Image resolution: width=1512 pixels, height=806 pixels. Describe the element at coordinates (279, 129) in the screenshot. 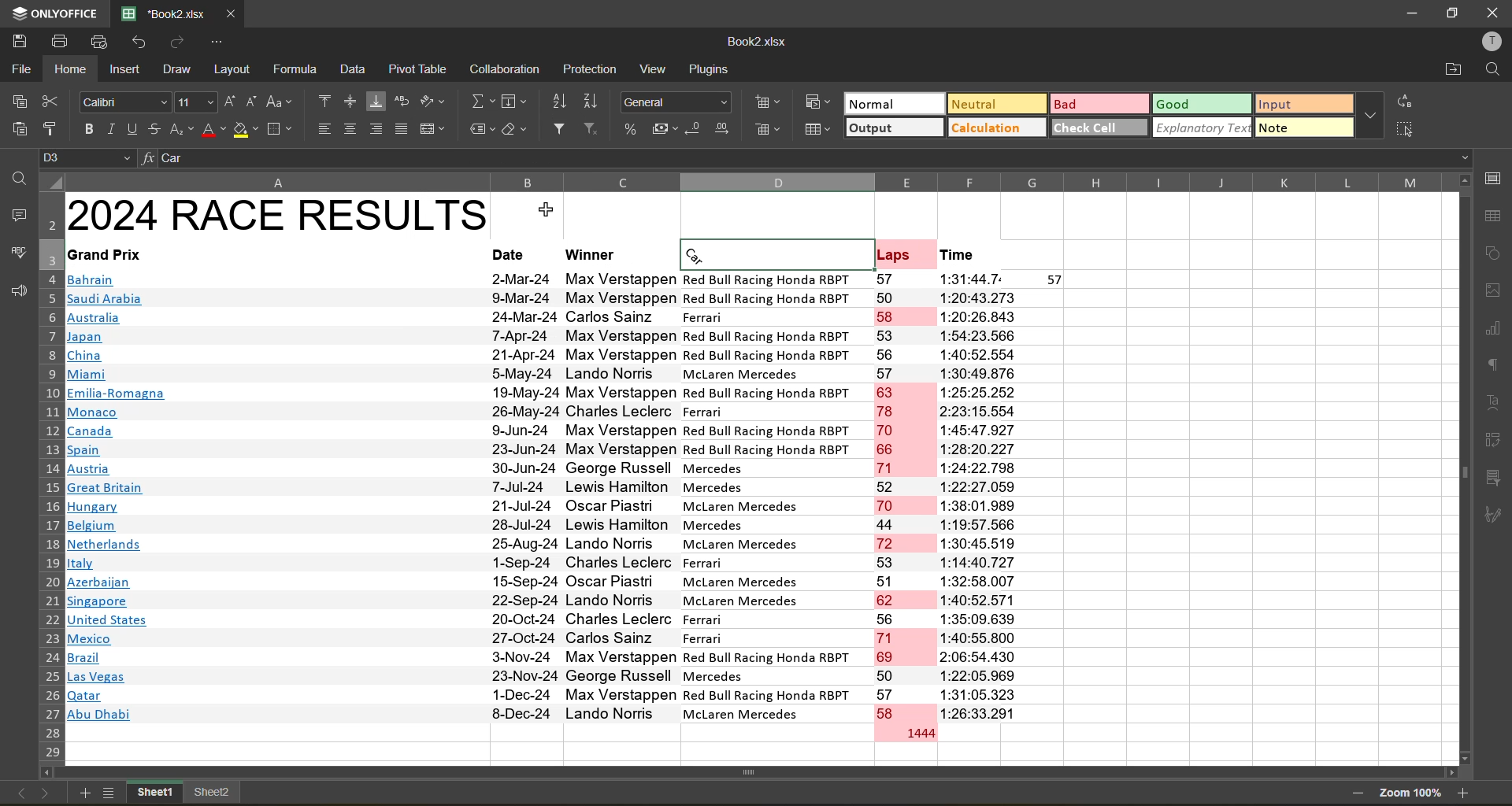

I see `borders` at that location.